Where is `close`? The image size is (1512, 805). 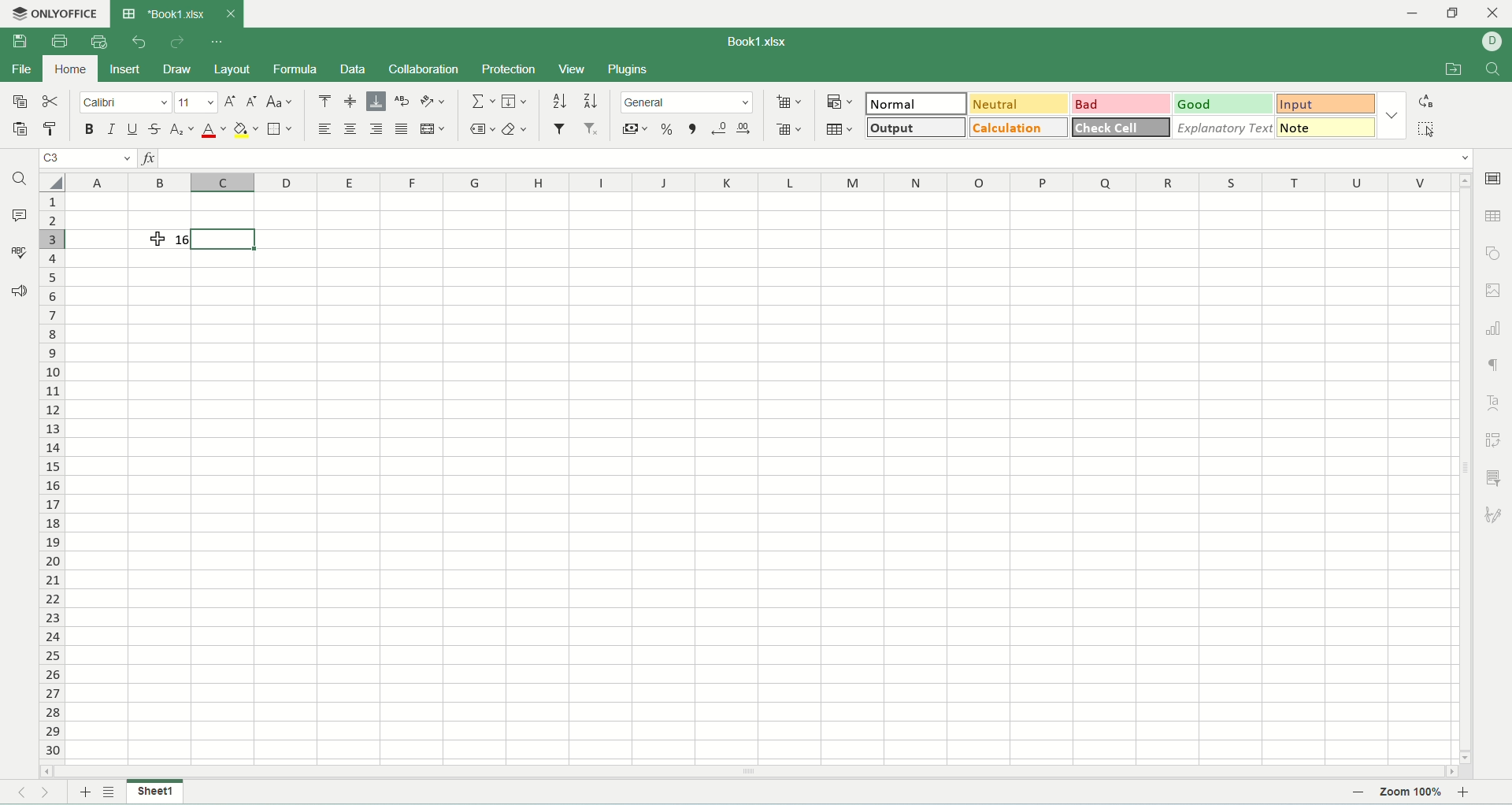 close is located at coordinates (230, 14).